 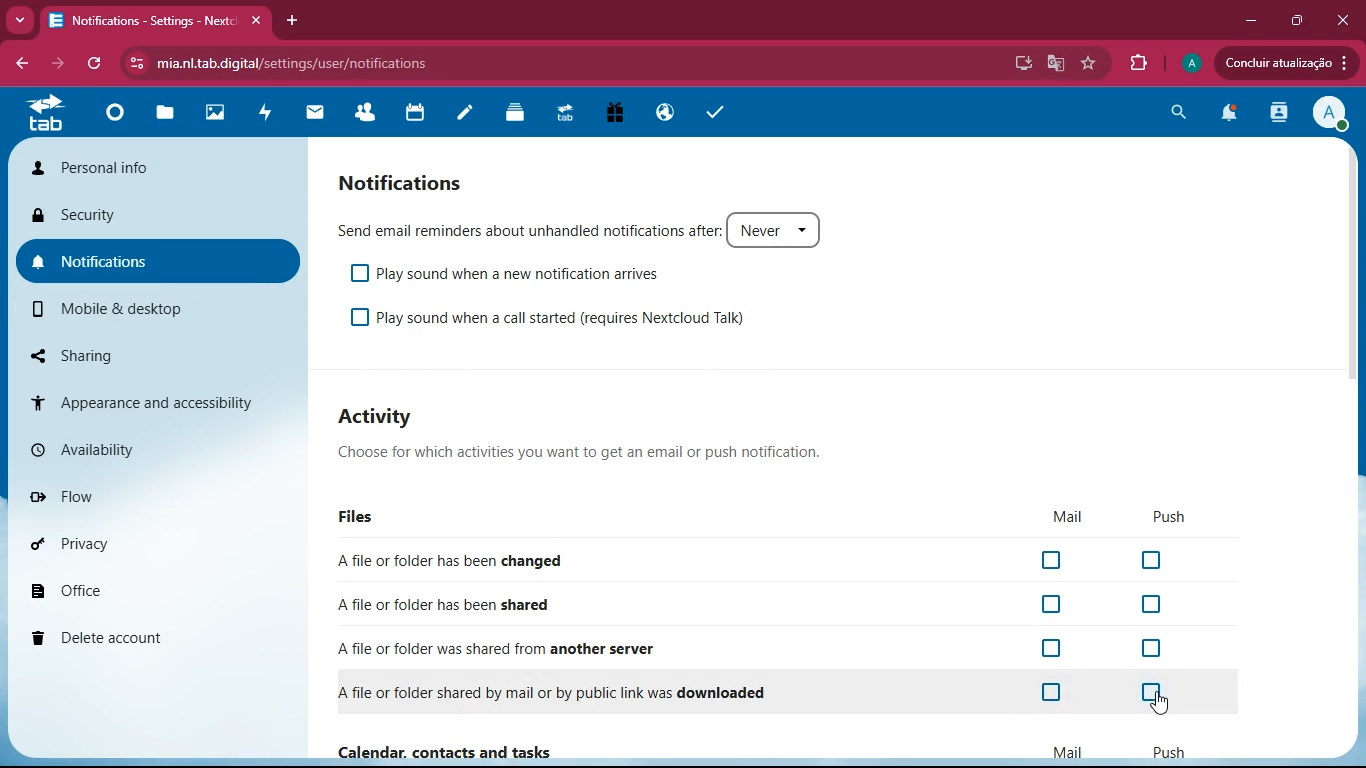 What do you see at coordinates (1286, 61) in the screenshot?
I see `Concluir atualizacao` at bounding box center [1286, 61].